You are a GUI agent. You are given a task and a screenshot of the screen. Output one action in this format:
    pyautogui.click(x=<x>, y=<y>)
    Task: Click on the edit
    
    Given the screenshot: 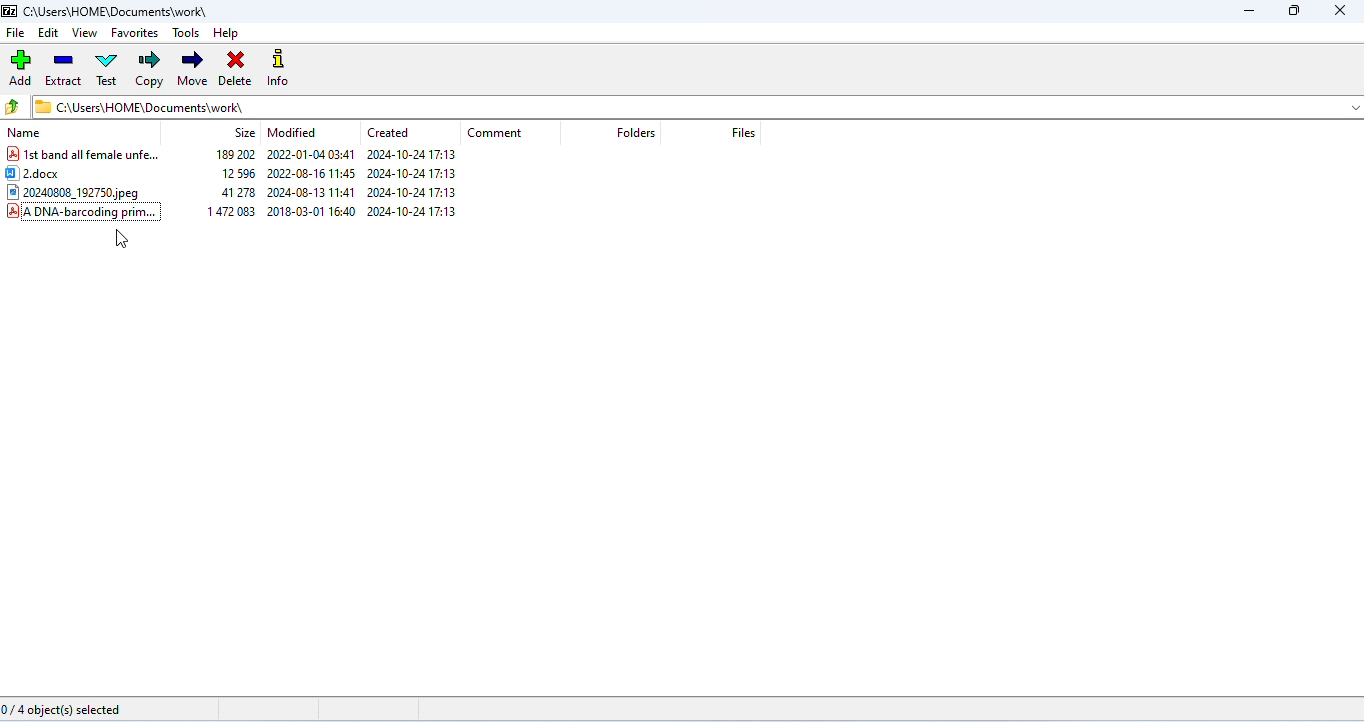 What is the action you would take?
    pyautogui.click(x=49, y=33)
    